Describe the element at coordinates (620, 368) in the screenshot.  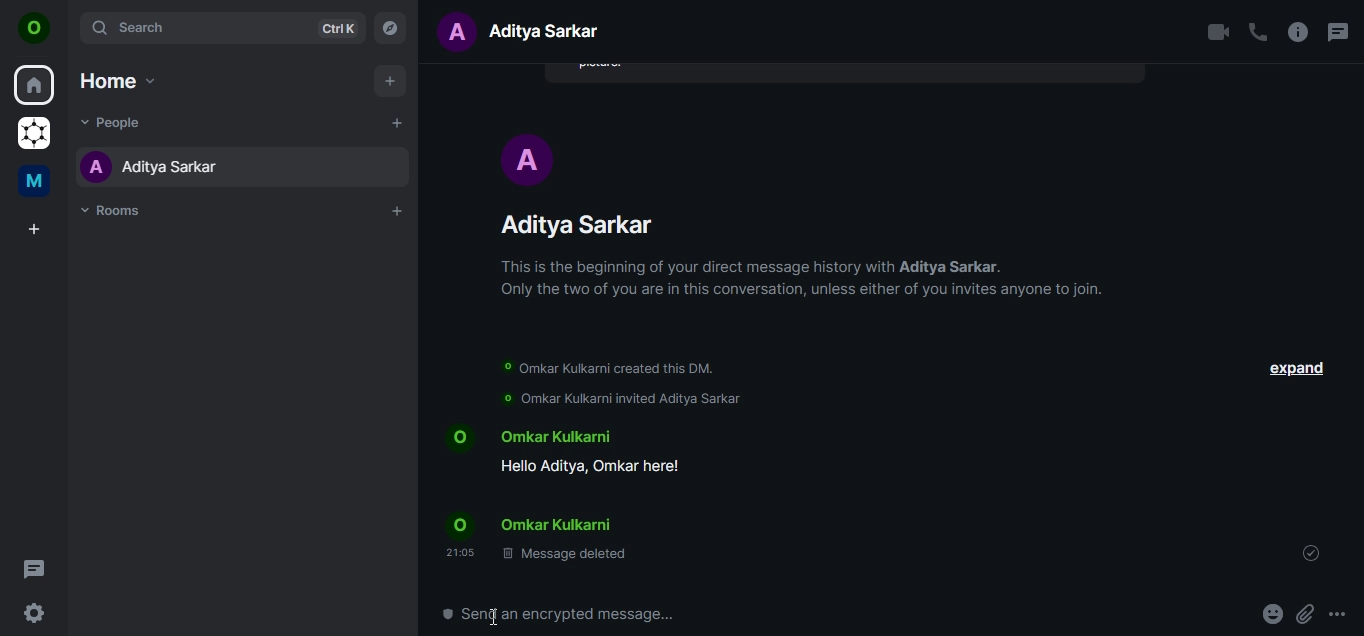
I see `omkar kulkarni created this DM` at that location.